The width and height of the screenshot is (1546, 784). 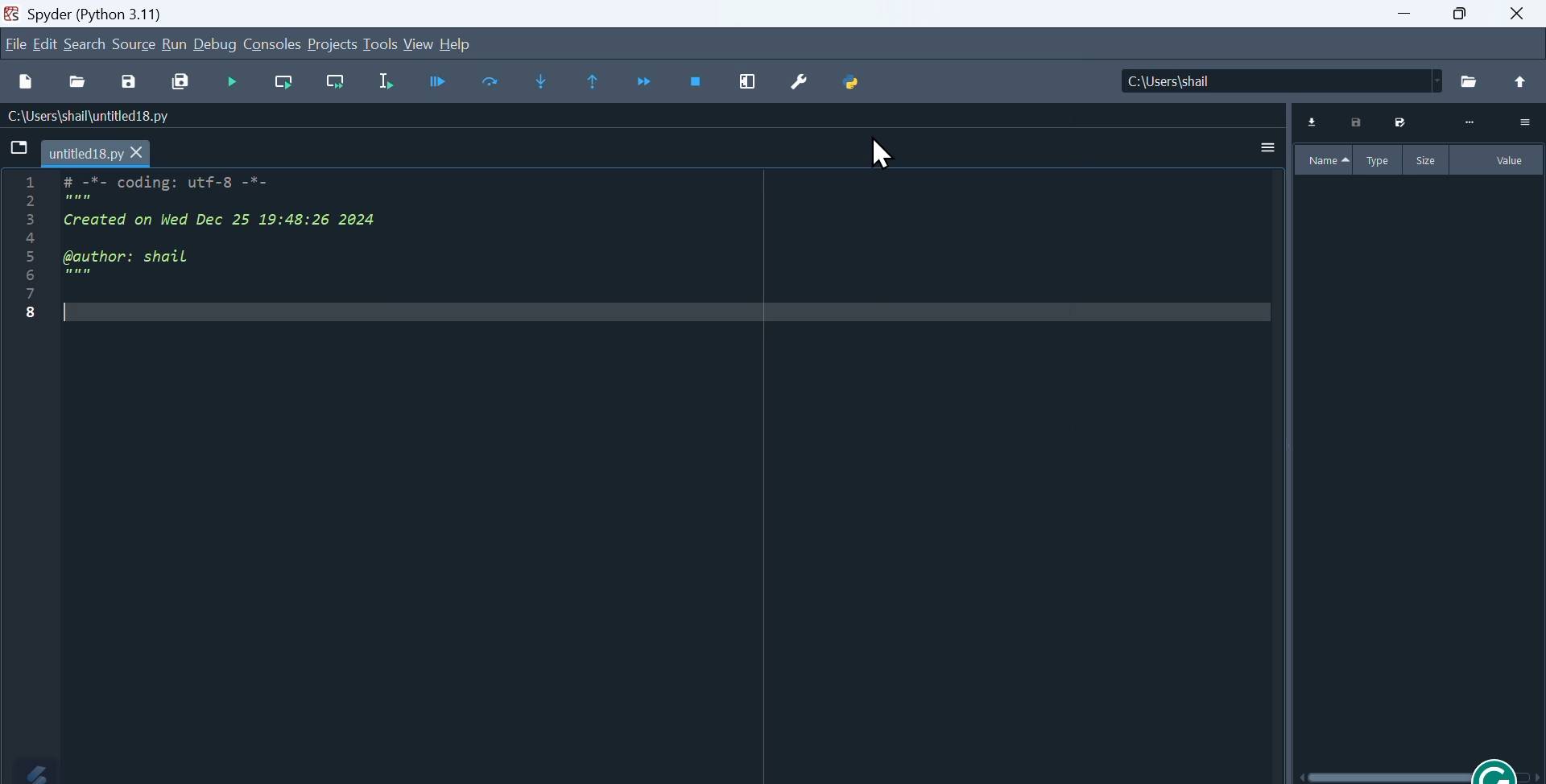 I want to click on size, so click(x=1424, y=162).